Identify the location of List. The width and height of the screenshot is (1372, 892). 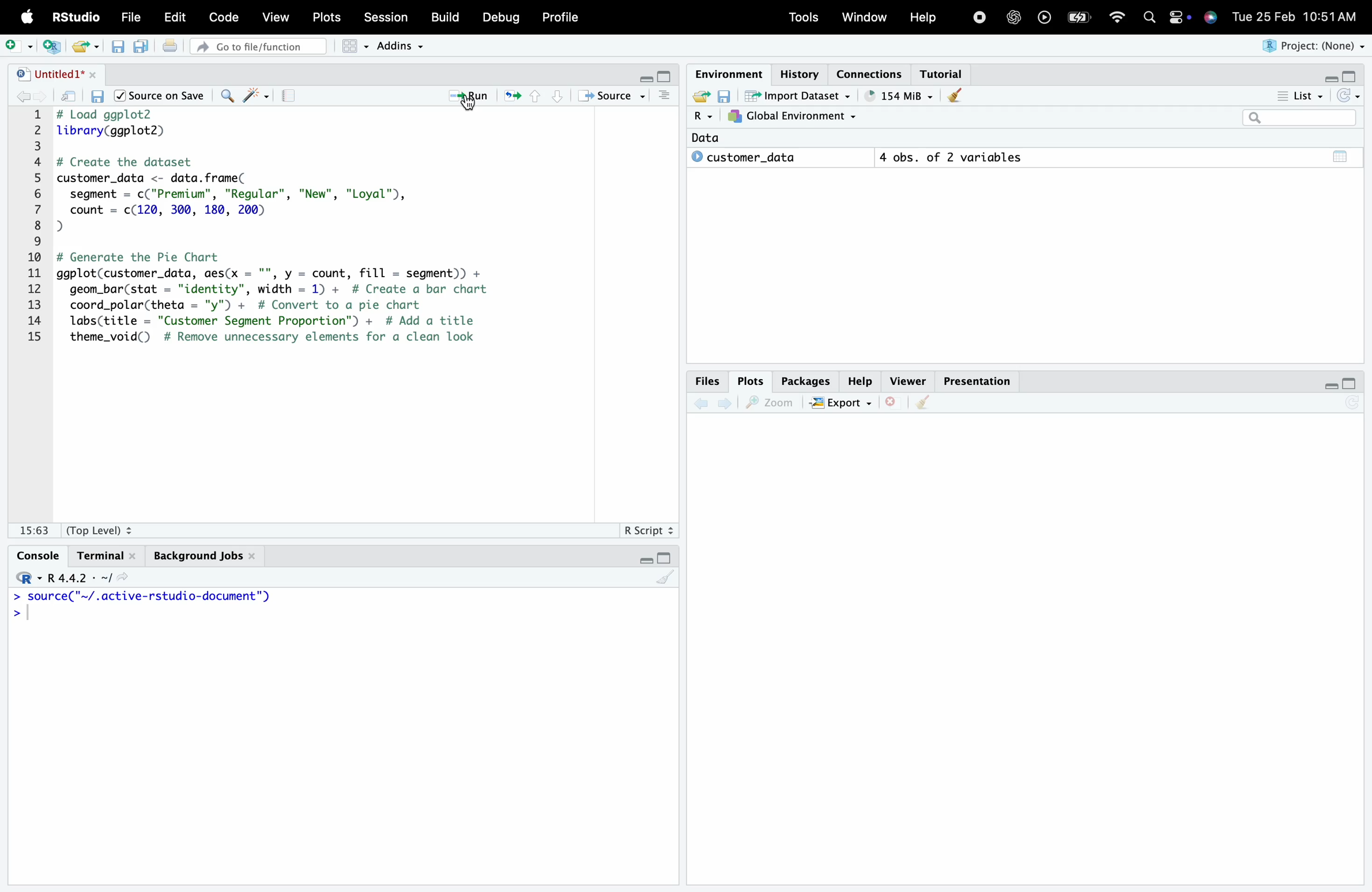
(1295, 95).